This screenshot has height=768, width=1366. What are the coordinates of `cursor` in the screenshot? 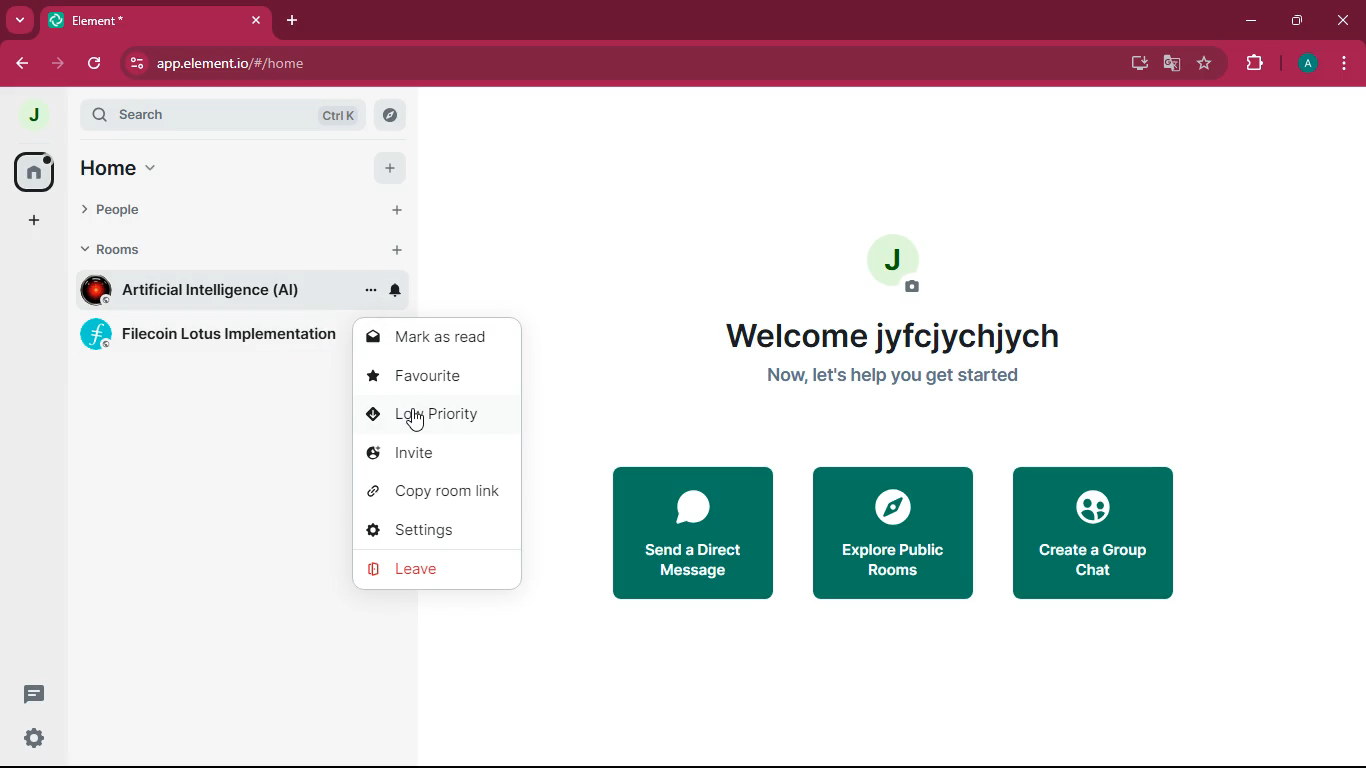 It's located at (415, 421).